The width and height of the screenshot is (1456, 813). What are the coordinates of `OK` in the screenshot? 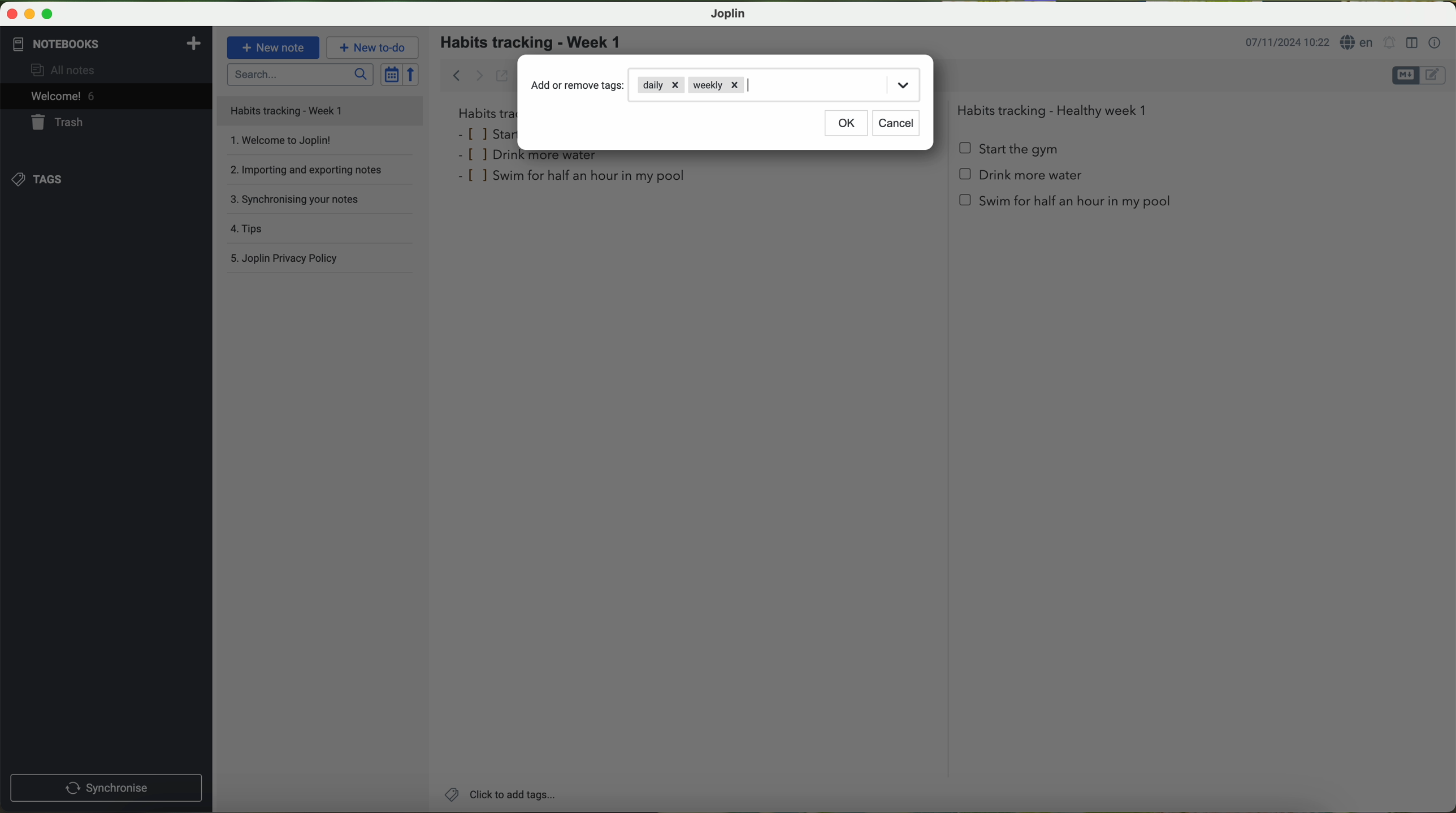 It's located at (847, 124).